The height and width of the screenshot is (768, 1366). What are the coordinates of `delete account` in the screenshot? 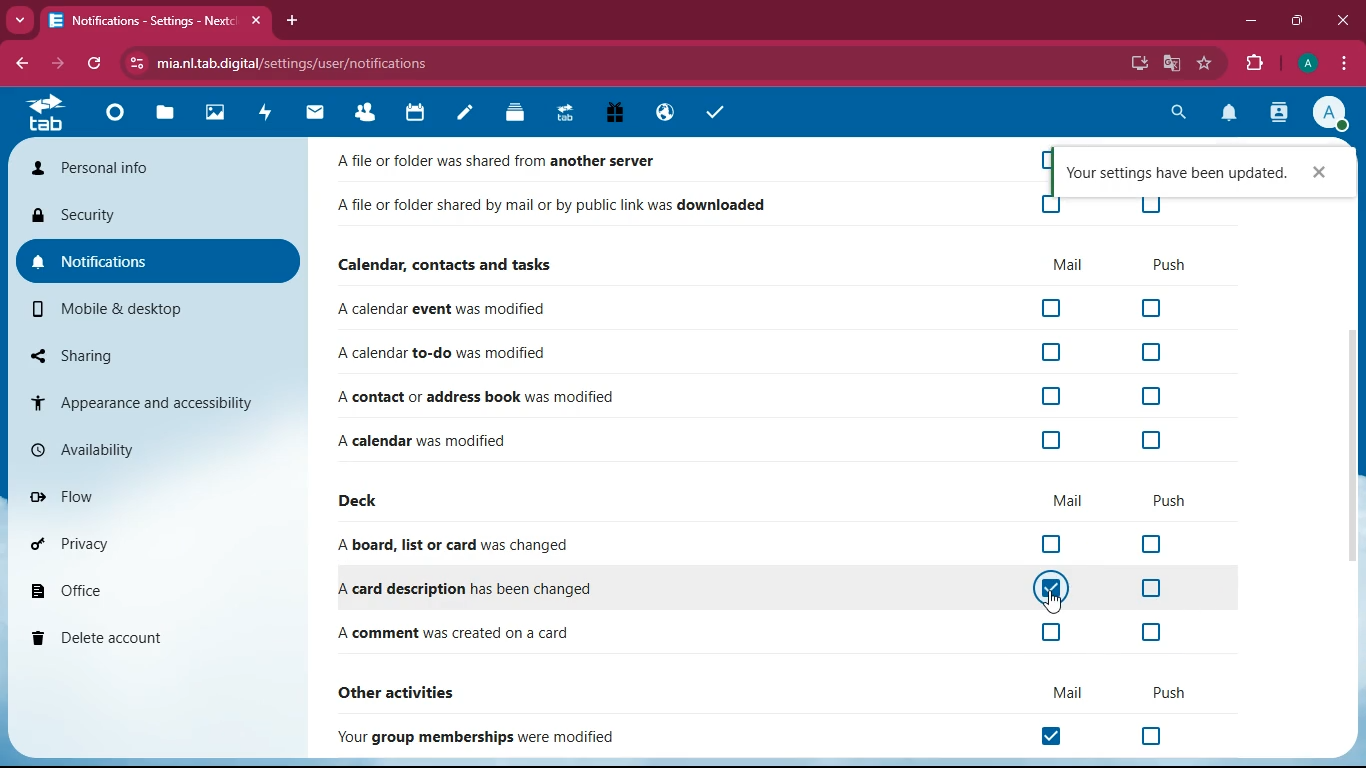 It's located at (148, 636).